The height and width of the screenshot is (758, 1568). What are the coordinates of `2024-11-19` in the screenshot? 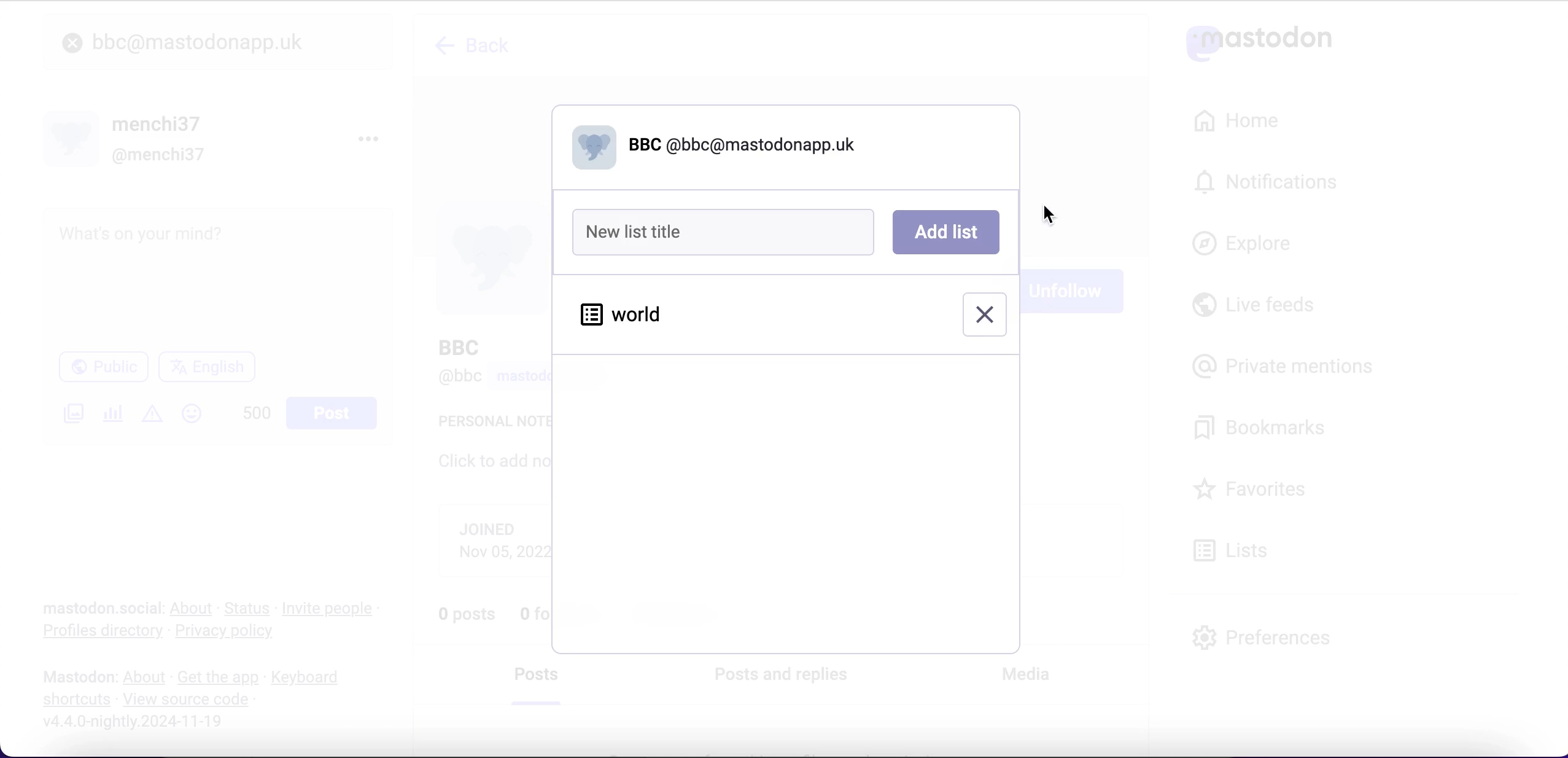 It's located at (142, 721).